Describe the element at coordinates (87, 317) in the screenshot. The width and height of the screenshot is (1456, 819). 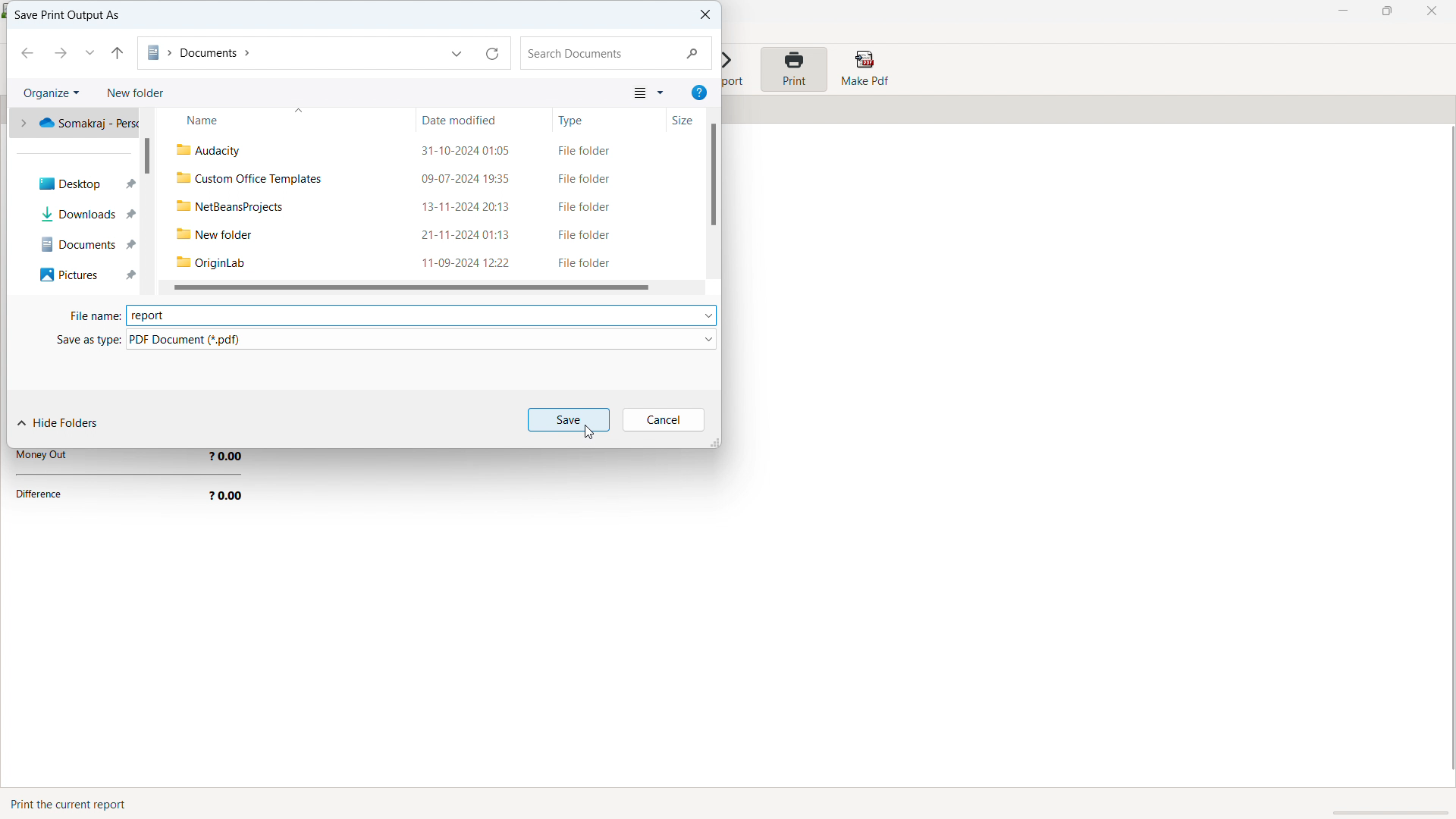
I see `File name` at that location.